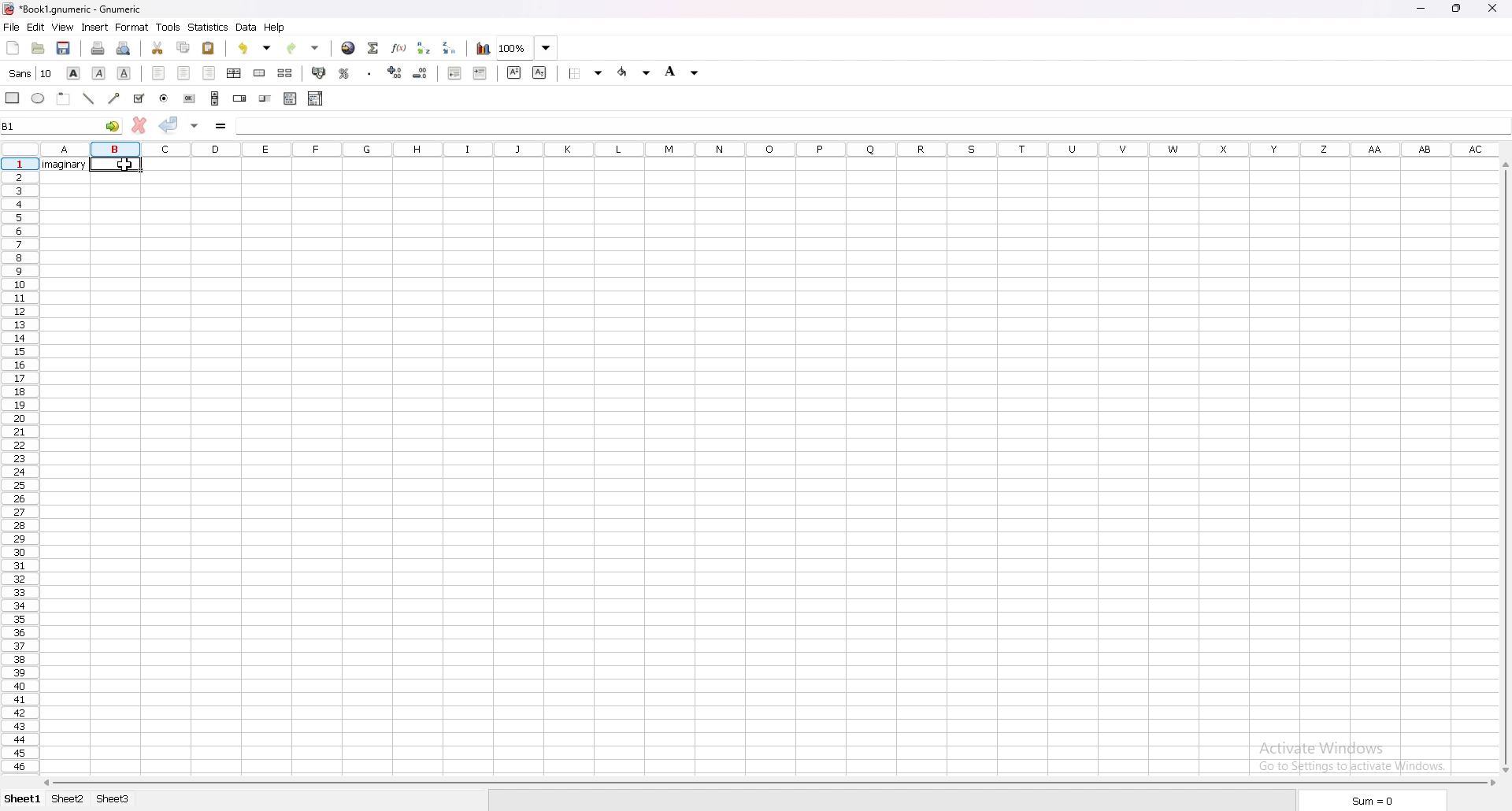 The height and width of the screenshot is (811, 1512). Describe the element at coordinates (38, 99) in the screenshot. I see `ellipse` at that location.